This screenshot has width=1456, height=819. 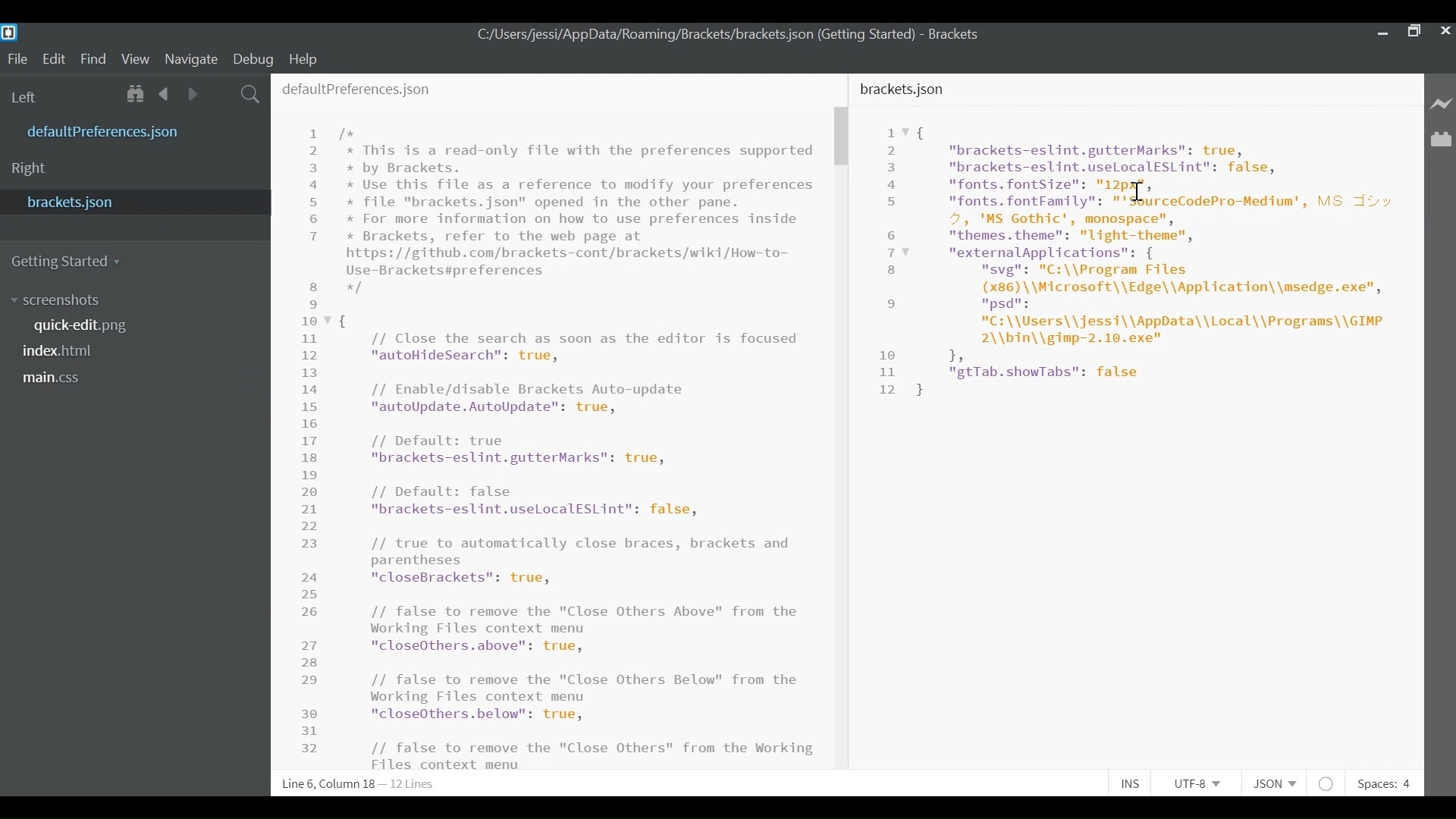 What do you see at coordinates (843, 137) in the screenshot?
I see `Vertical Scroll bar` at bounding box center [843, 137].